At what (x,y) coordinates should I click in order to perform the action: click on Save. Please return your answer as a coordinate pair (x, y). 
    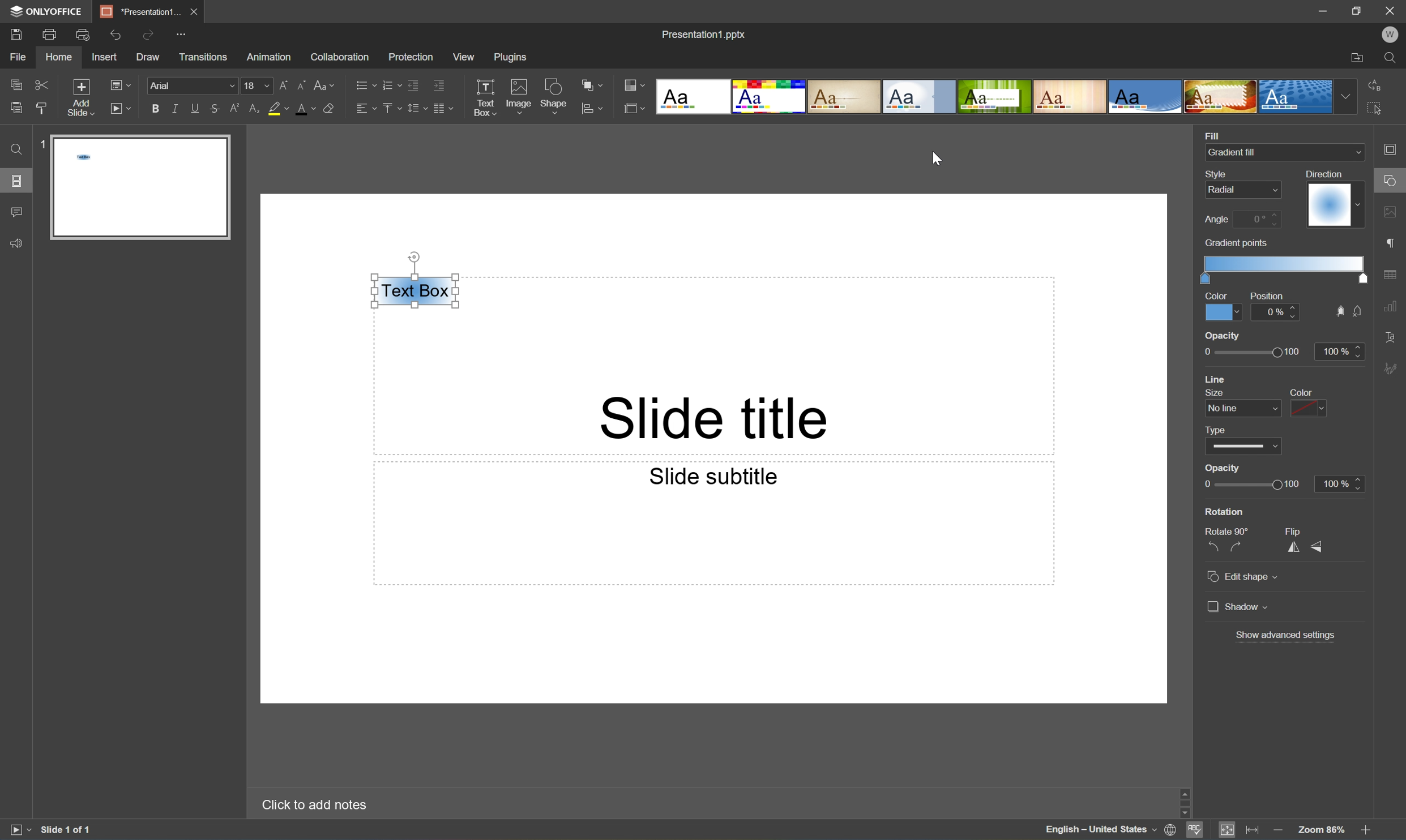
    Looking at the image, I should click on (15, 35).